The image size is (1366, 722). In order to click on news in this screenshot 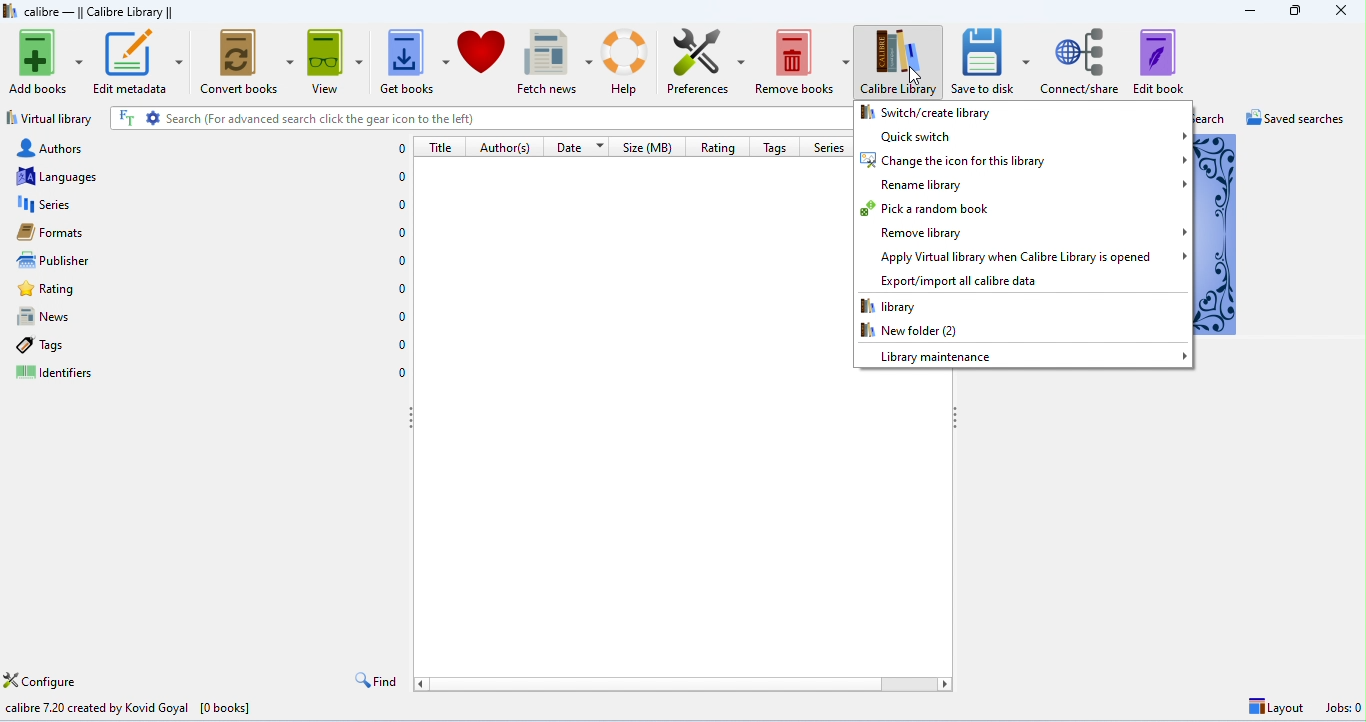, I will do `click(211, 317)`.